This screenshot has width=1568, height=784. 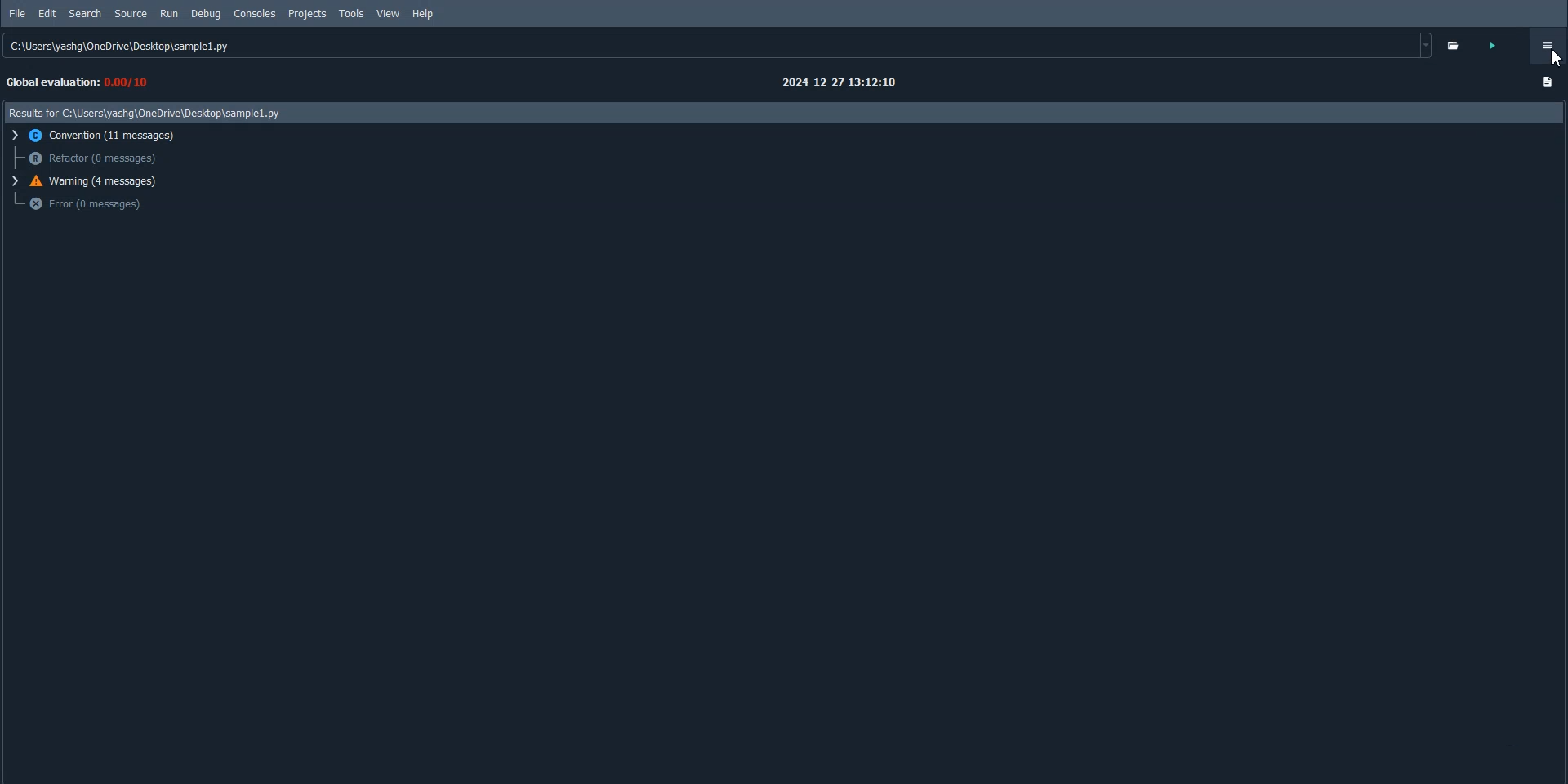 What do you see at coordinates (1547, 46) in the screenshot?
I see `Option` at bounding box center [1547, 46].